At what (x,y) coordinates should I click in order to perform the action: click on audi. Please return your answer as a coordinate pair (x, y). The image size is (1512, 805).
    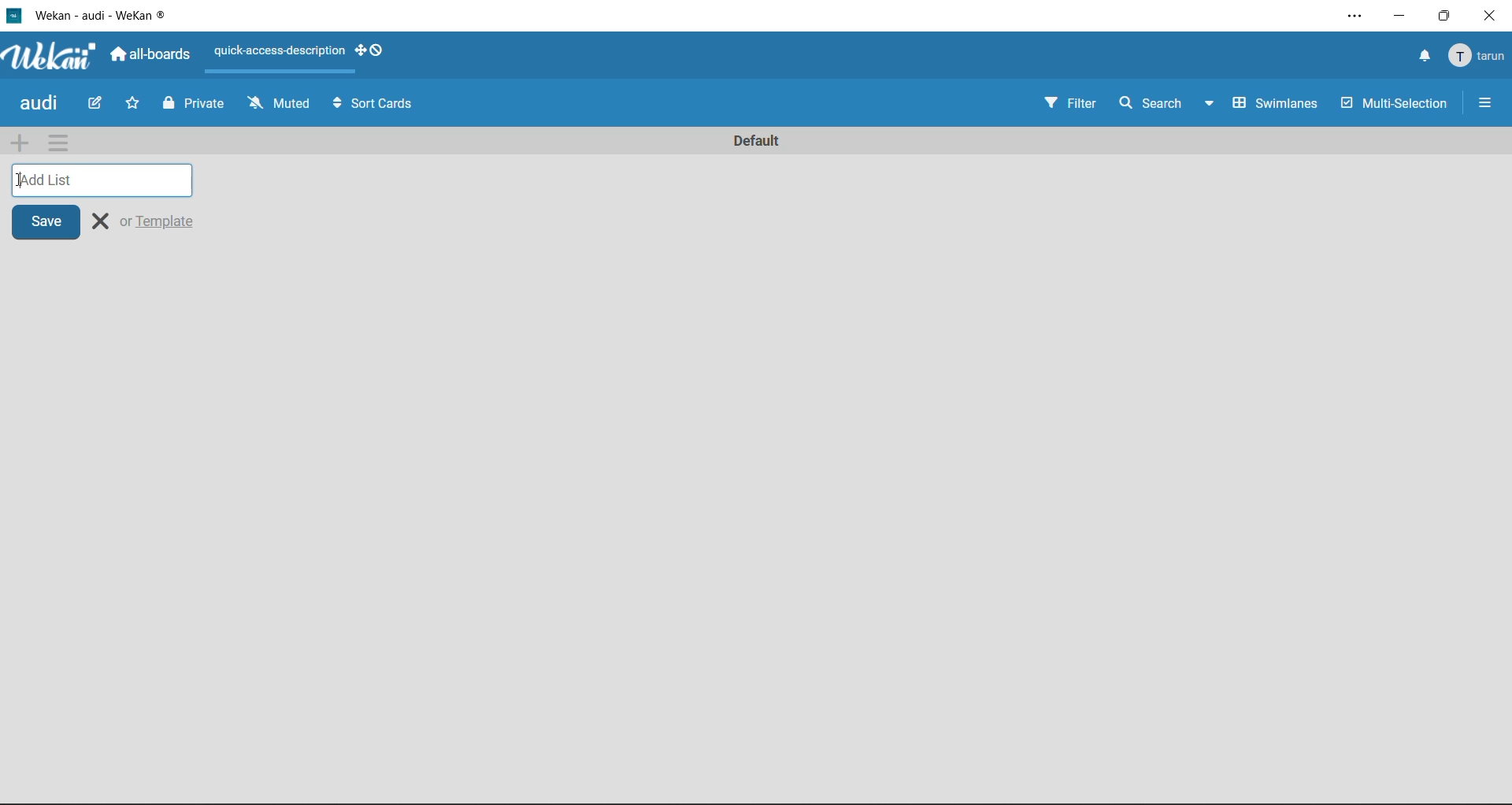
    Looking at the image, I should click on (38, 105).